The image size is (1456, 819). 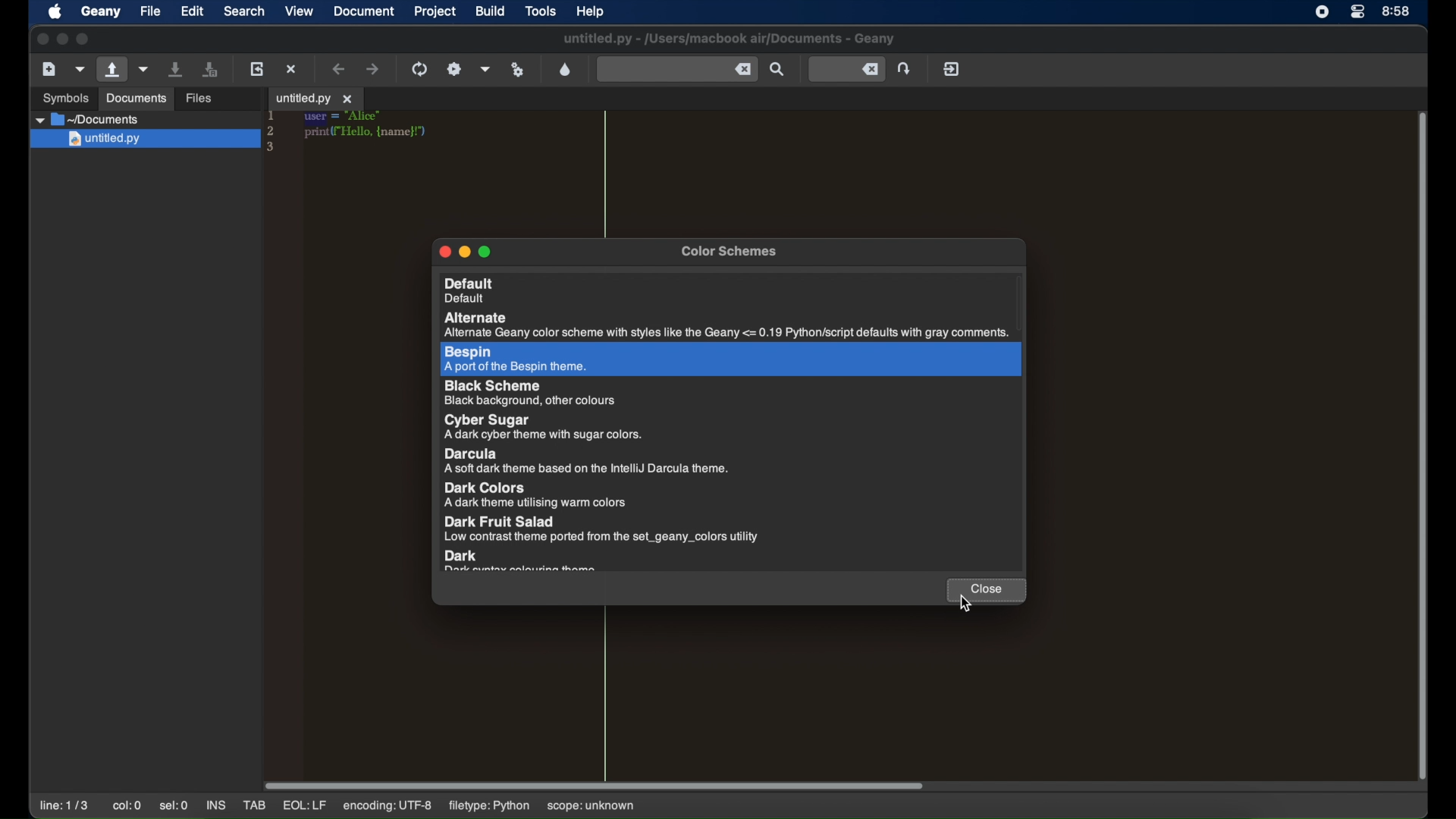 I want to click on open existing file, so click(x=112, y=69).